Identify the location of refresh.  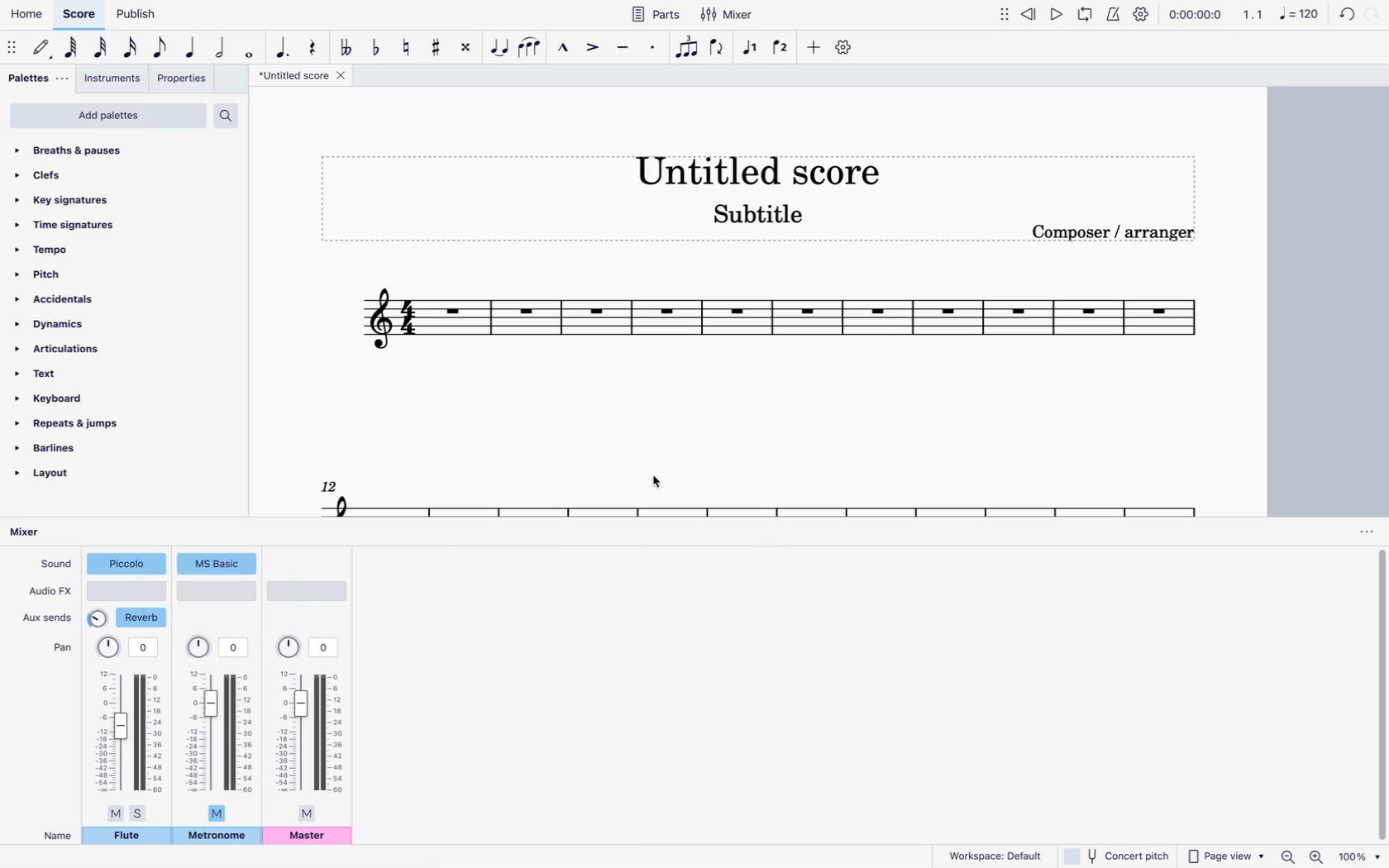
(1344, 16).